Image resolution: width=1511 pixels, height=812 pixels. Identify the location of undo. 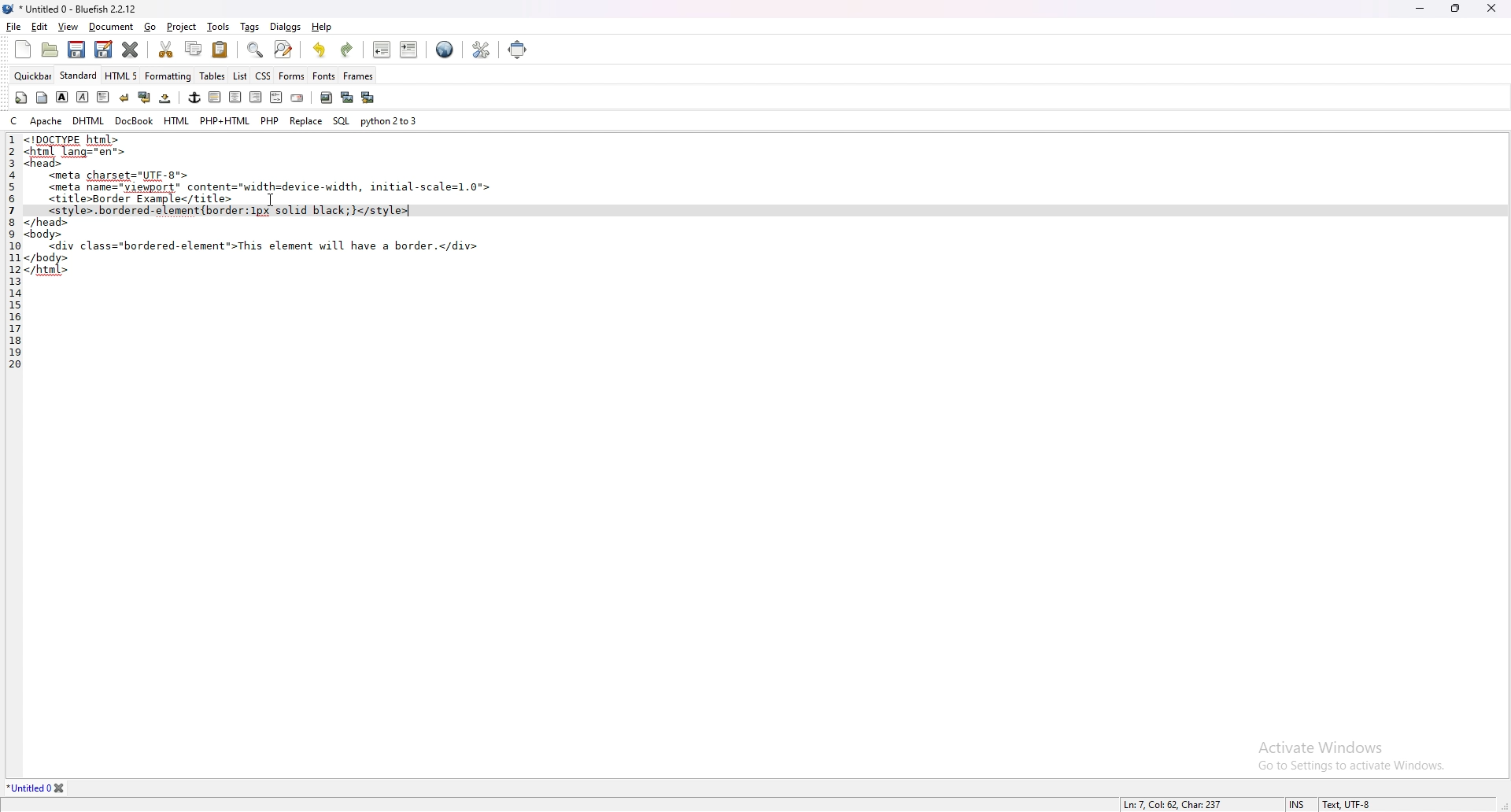
(320, 50).